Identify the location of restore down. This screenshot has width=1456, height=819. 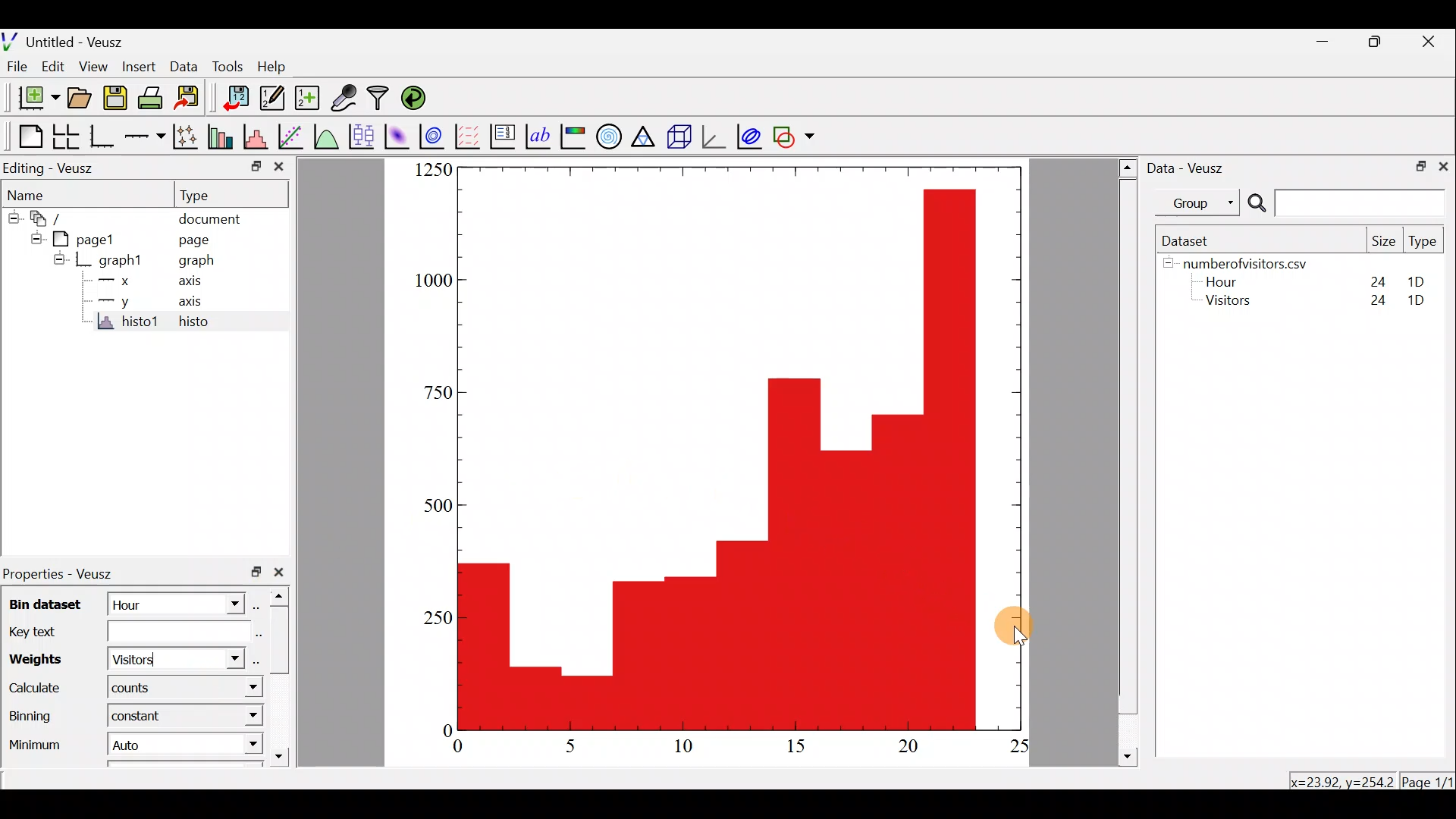
(253, 572).